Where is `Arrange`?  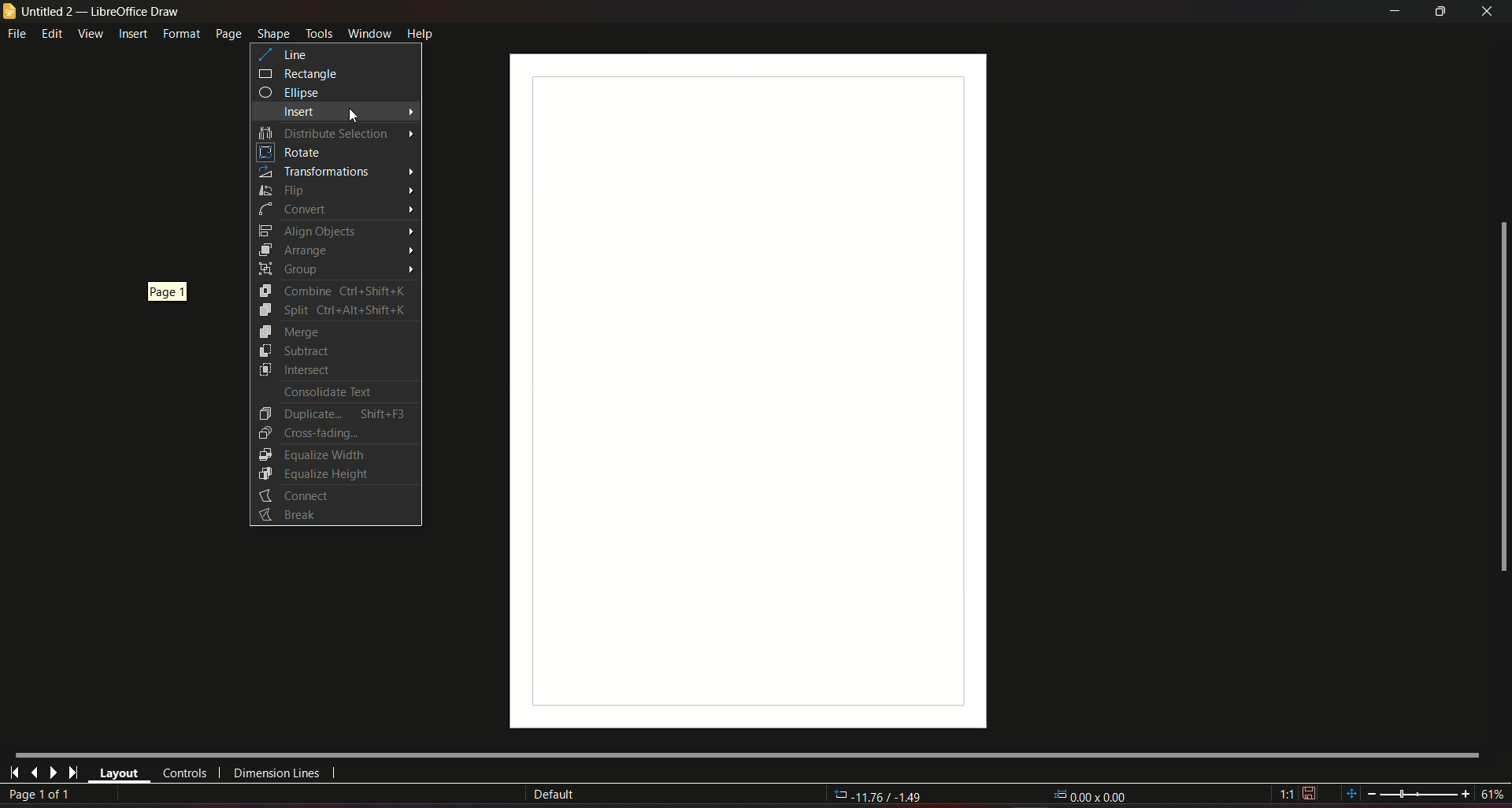
Arrange is located at coordinates (298, 250).